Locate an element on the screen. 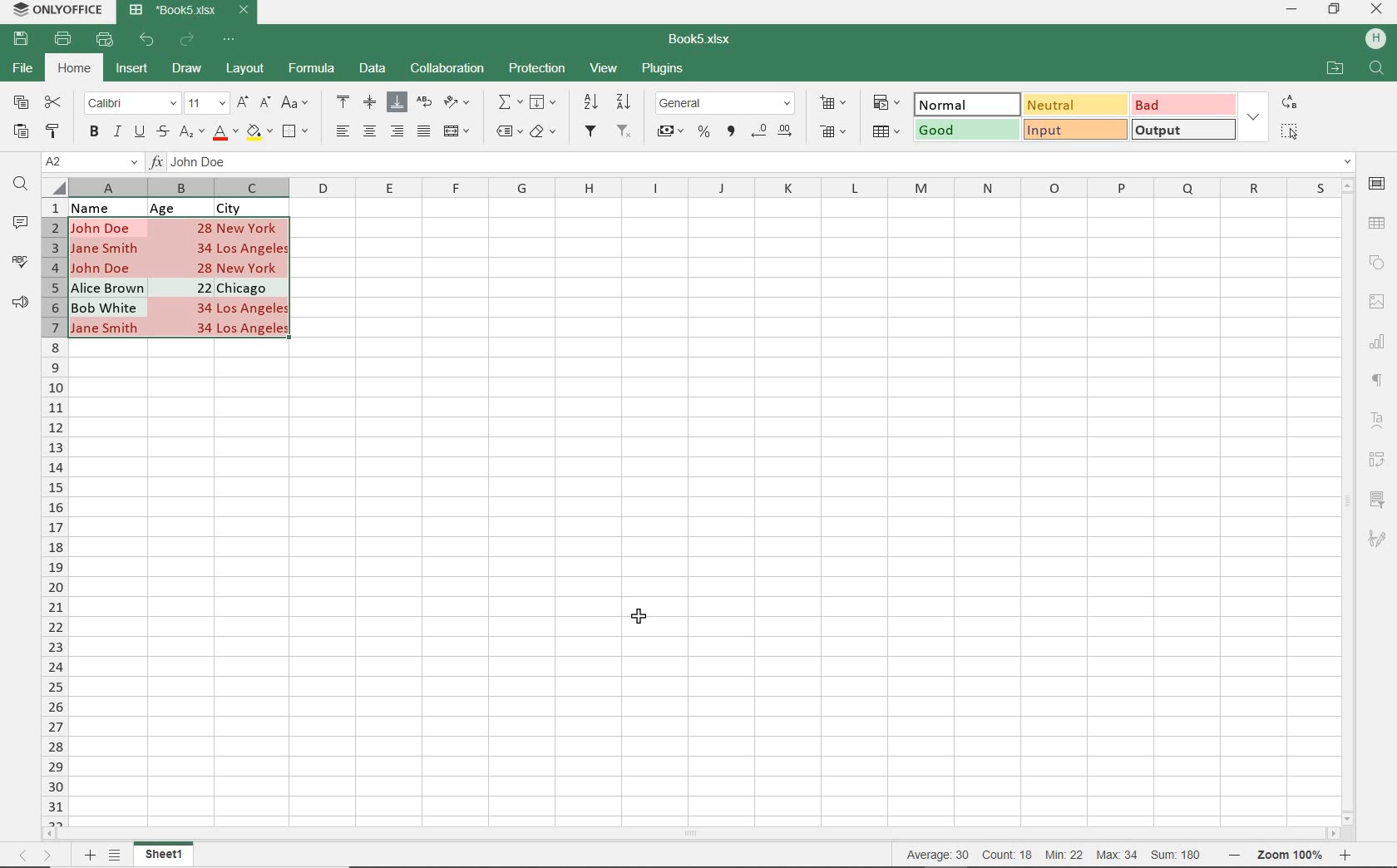  INPUT is located at coordinates (1074, 130).